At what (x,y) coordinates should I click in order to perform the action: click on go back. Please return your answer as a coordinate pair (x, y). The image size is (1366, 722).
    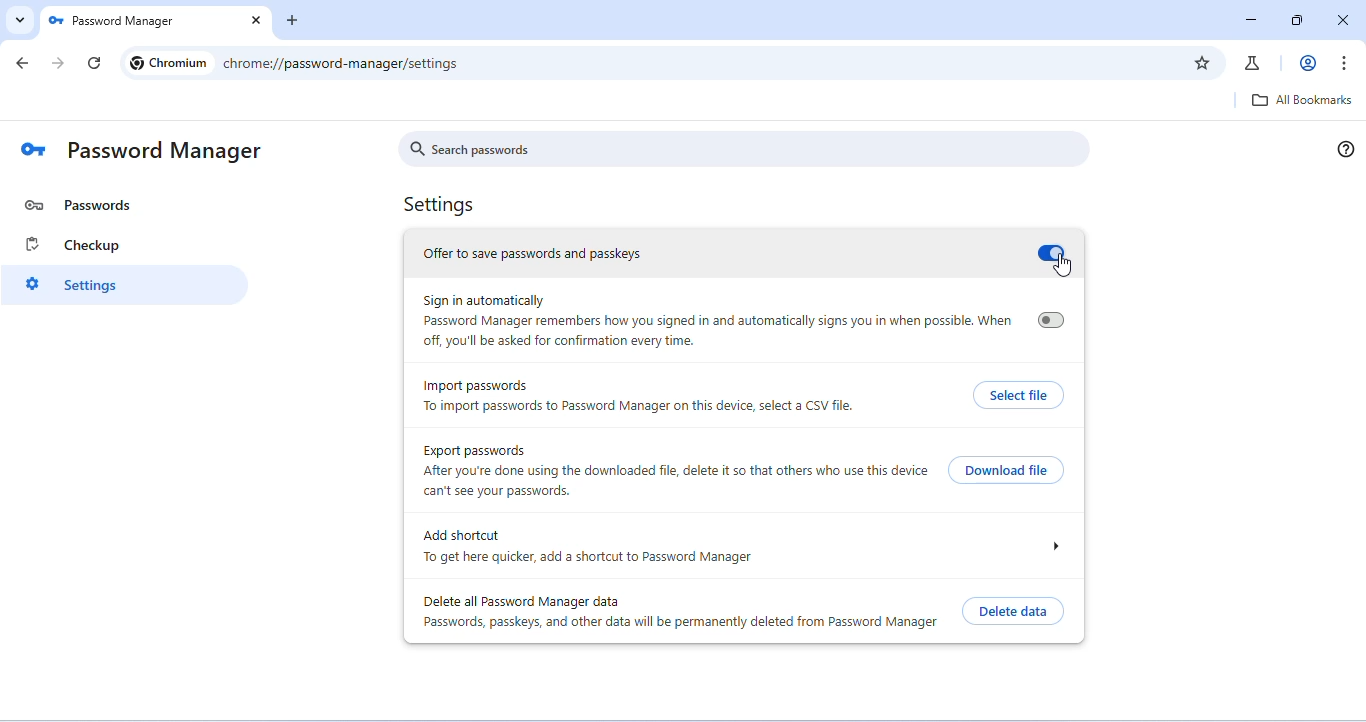
    Looking at the image, I should click on (23, 63).